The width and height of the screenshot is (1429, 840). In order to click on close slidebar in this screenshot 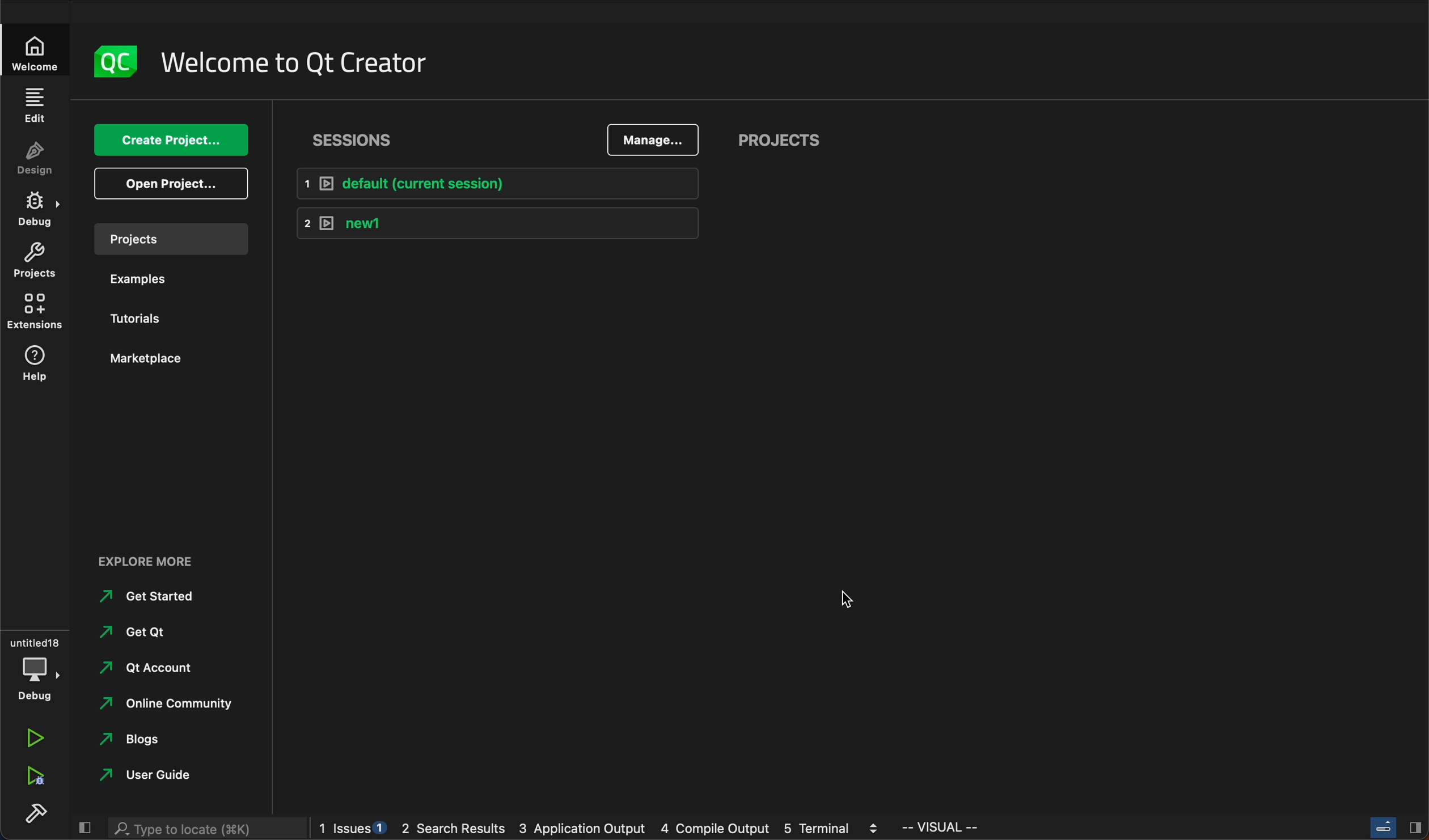, I will do `click(1398, 829)`.